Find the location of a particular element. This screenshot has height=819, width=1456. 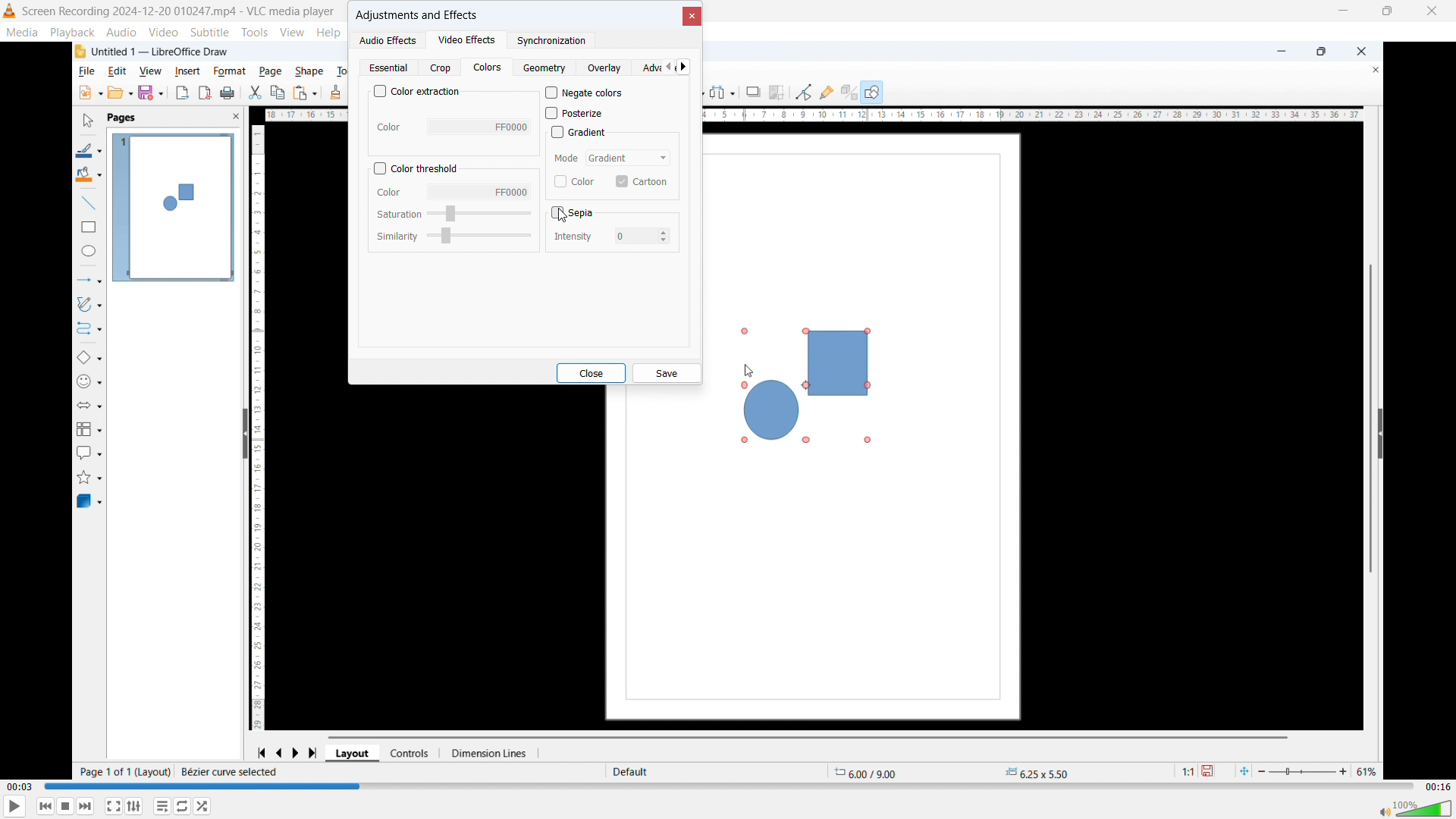

Show extended settings is located at coordinates (133, 807).